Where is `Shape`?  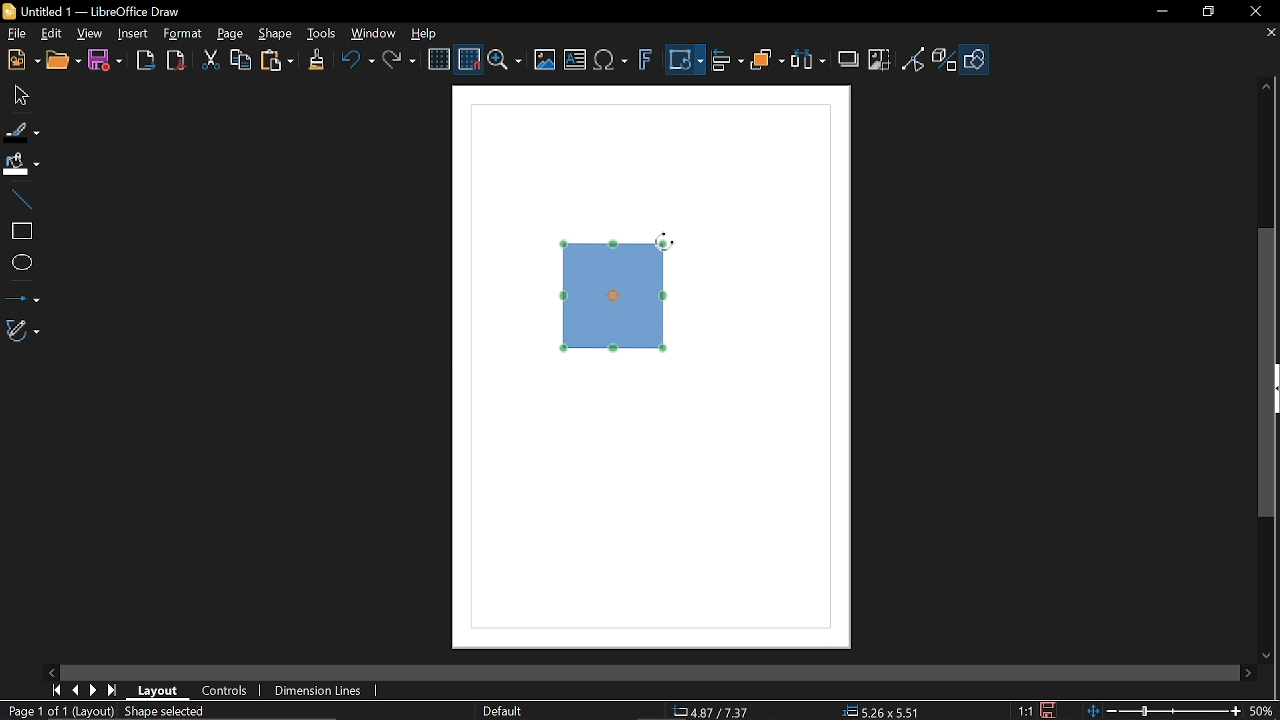 Shape is located at coordinates (274, 34).